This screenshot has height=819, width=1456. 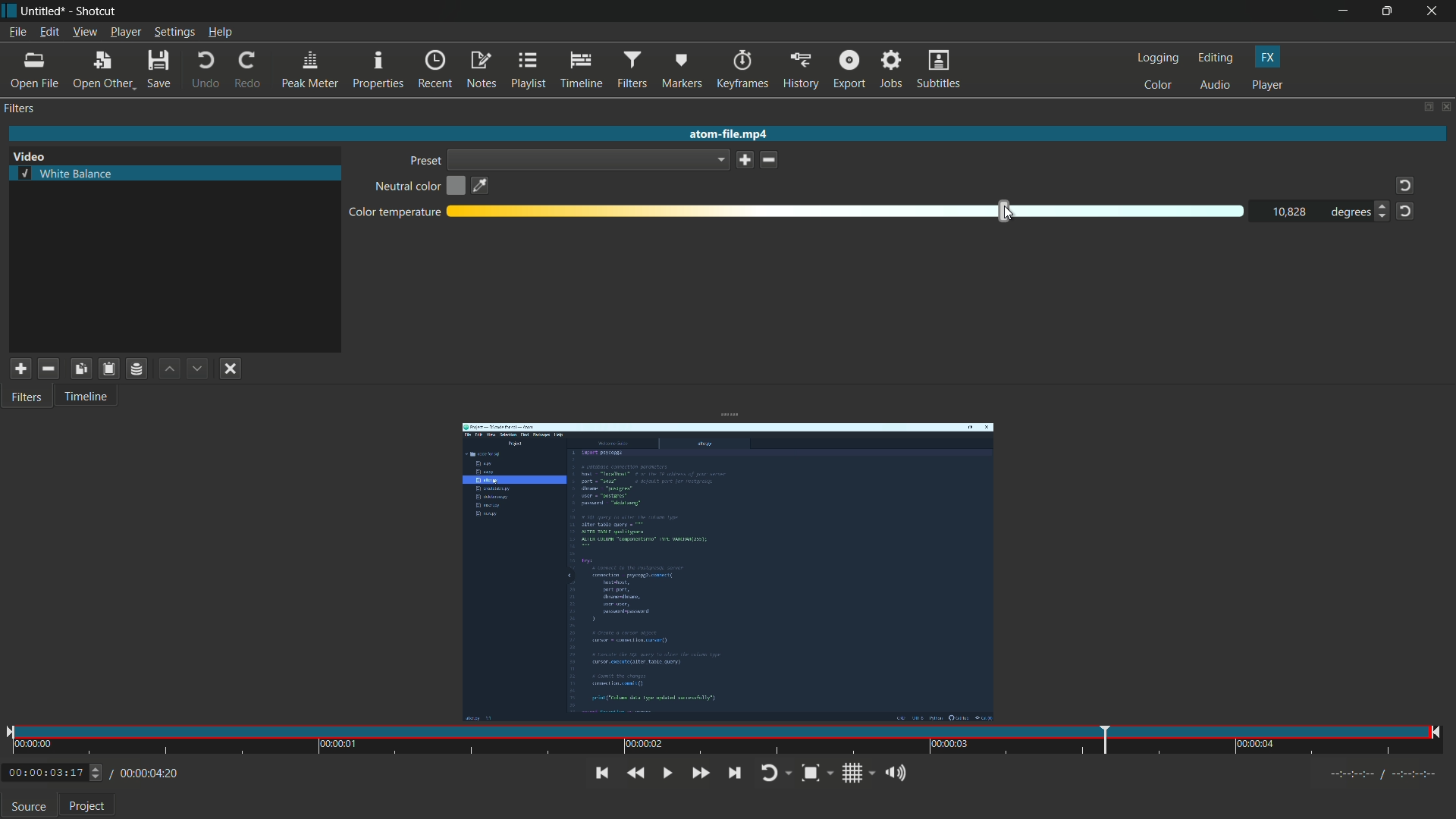 What do you see at coordinates (1216, 59) in the screenshot?
I see `editing` at bounding box center [1216, 59].